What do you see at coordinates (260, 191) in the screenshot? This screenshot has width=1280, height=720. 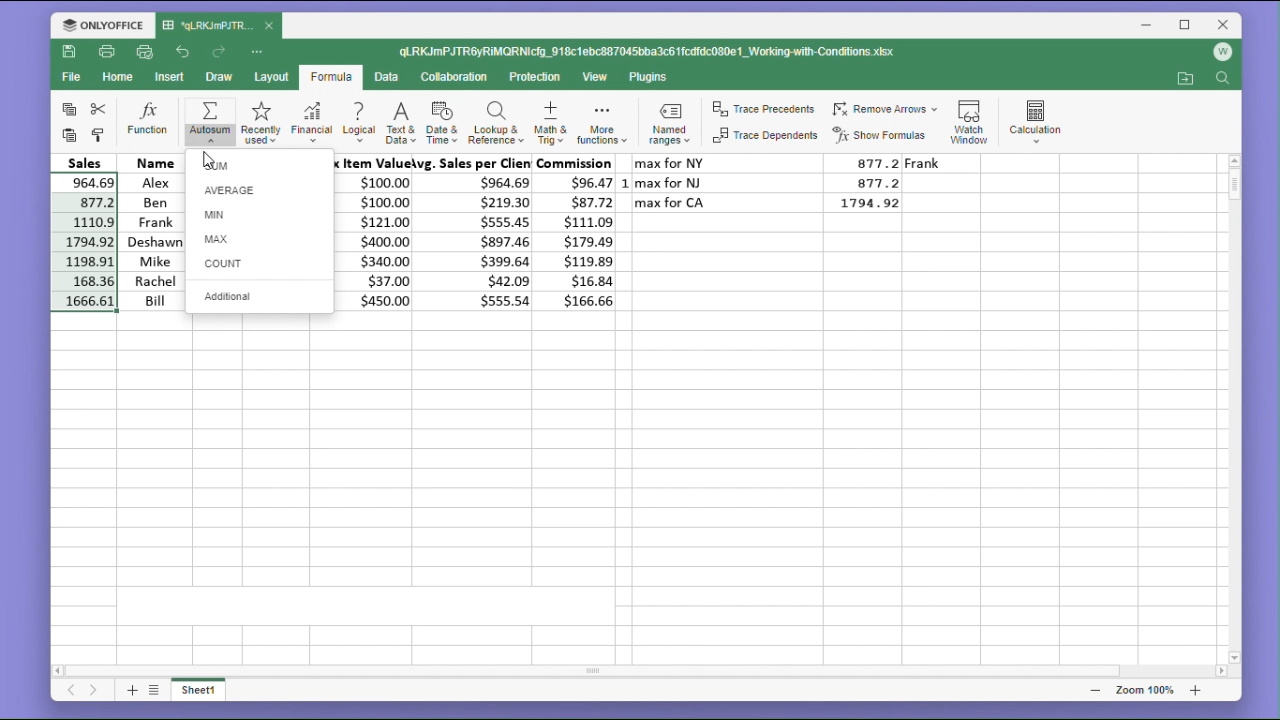 I see `average` at bounding box center [260, 191].